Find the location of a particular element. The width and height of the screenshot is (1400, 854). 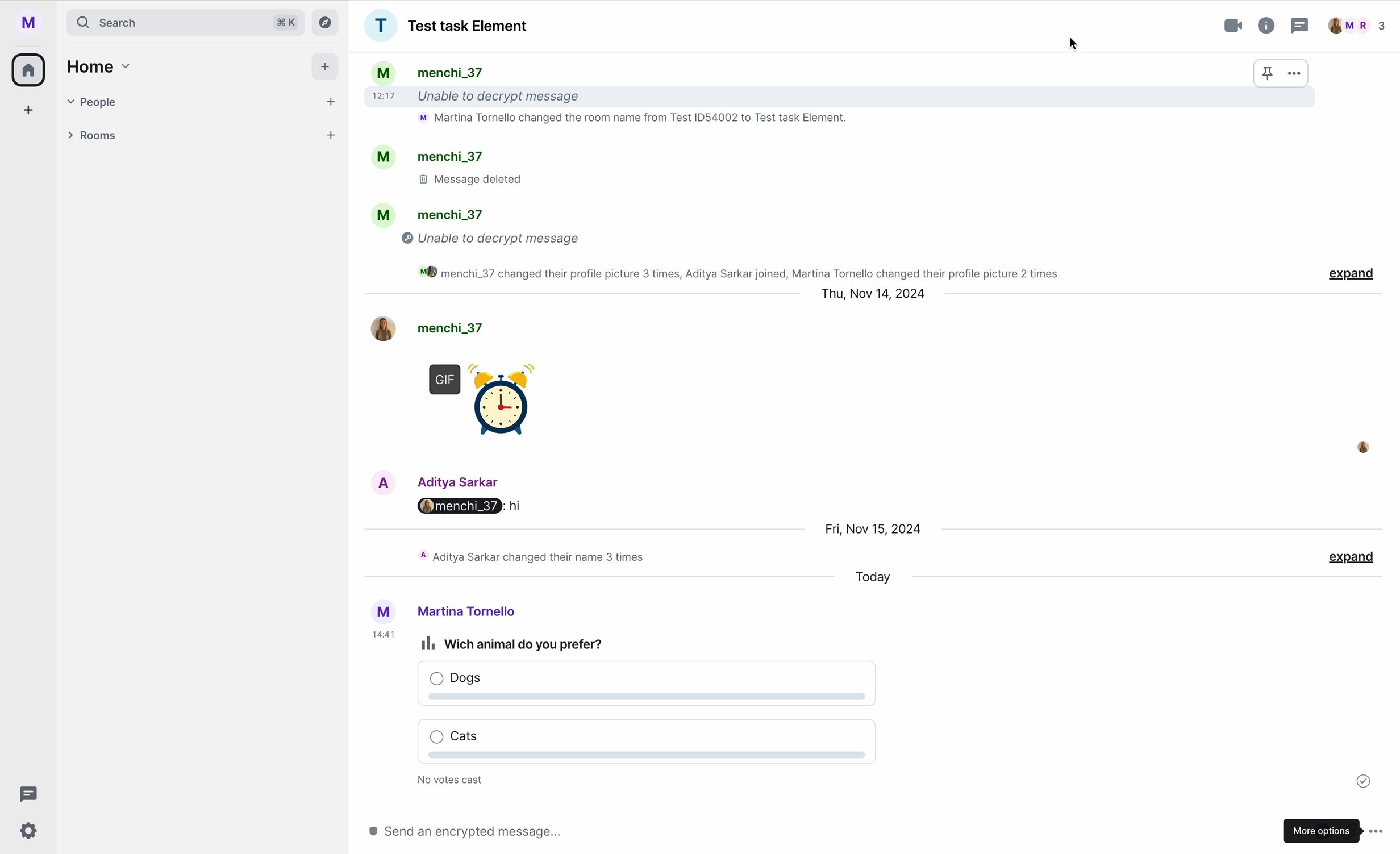

more options is located at coordinates (1296, 72).